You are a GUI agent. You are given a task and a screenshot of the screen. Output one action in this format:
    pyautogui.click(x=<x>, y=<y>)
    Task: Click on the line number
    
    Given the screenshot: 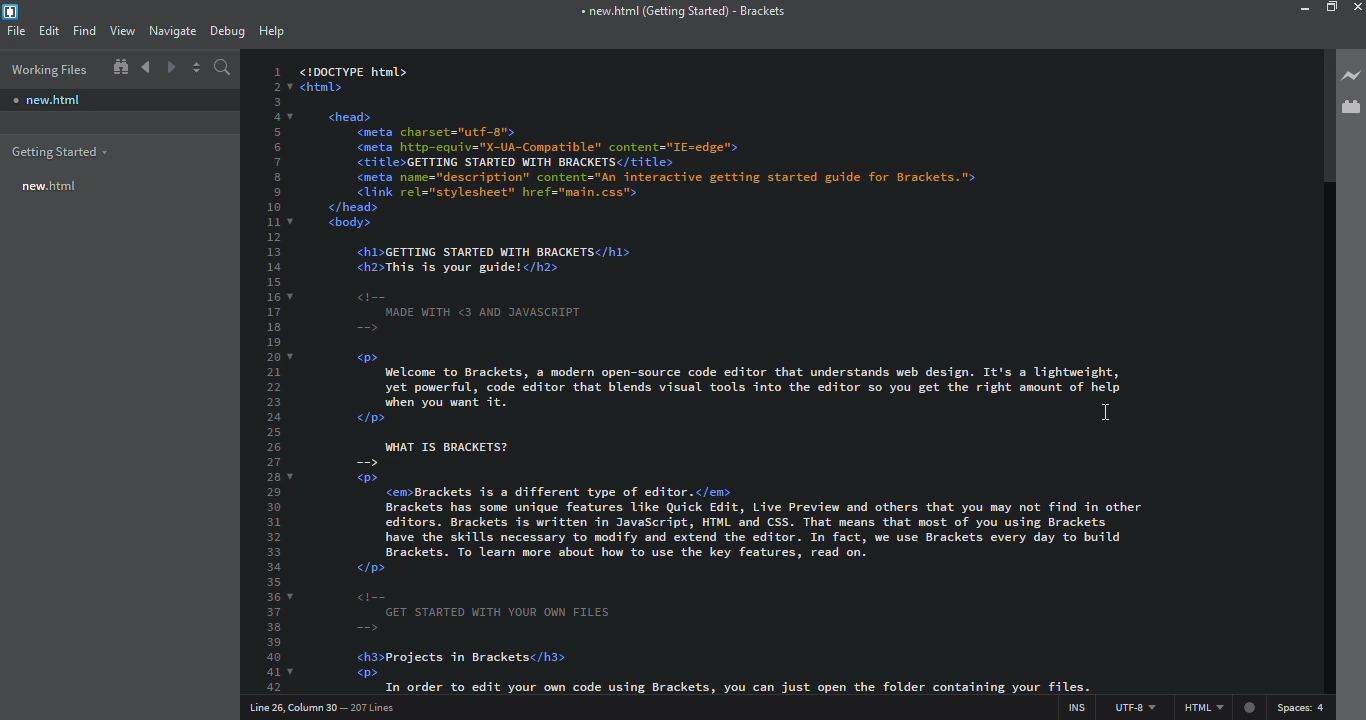 What is the action you would take?
    pyautogui.click(x=271, y=379)
    